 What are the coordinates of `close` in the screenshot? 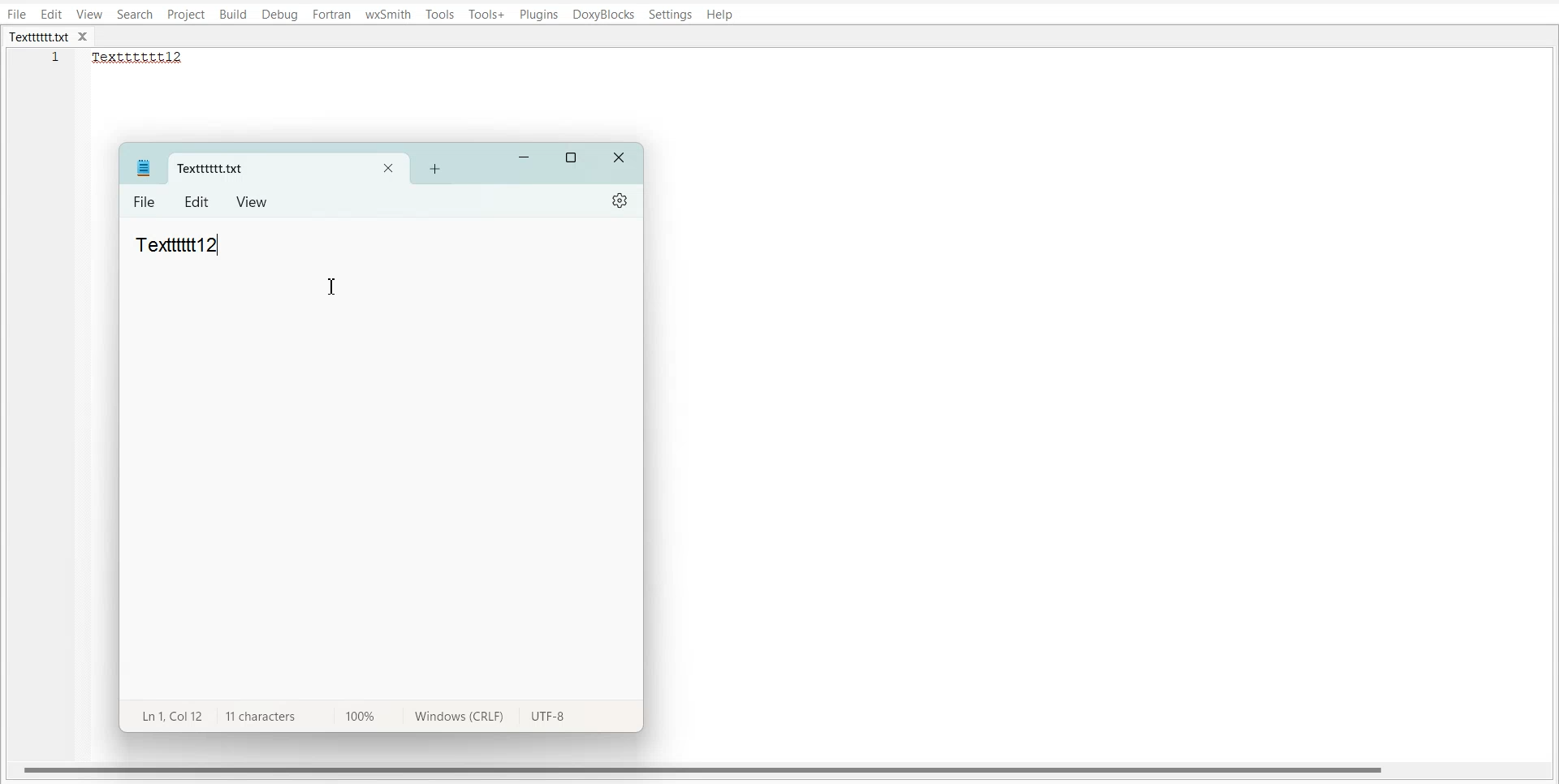 It's located at (87, 37).